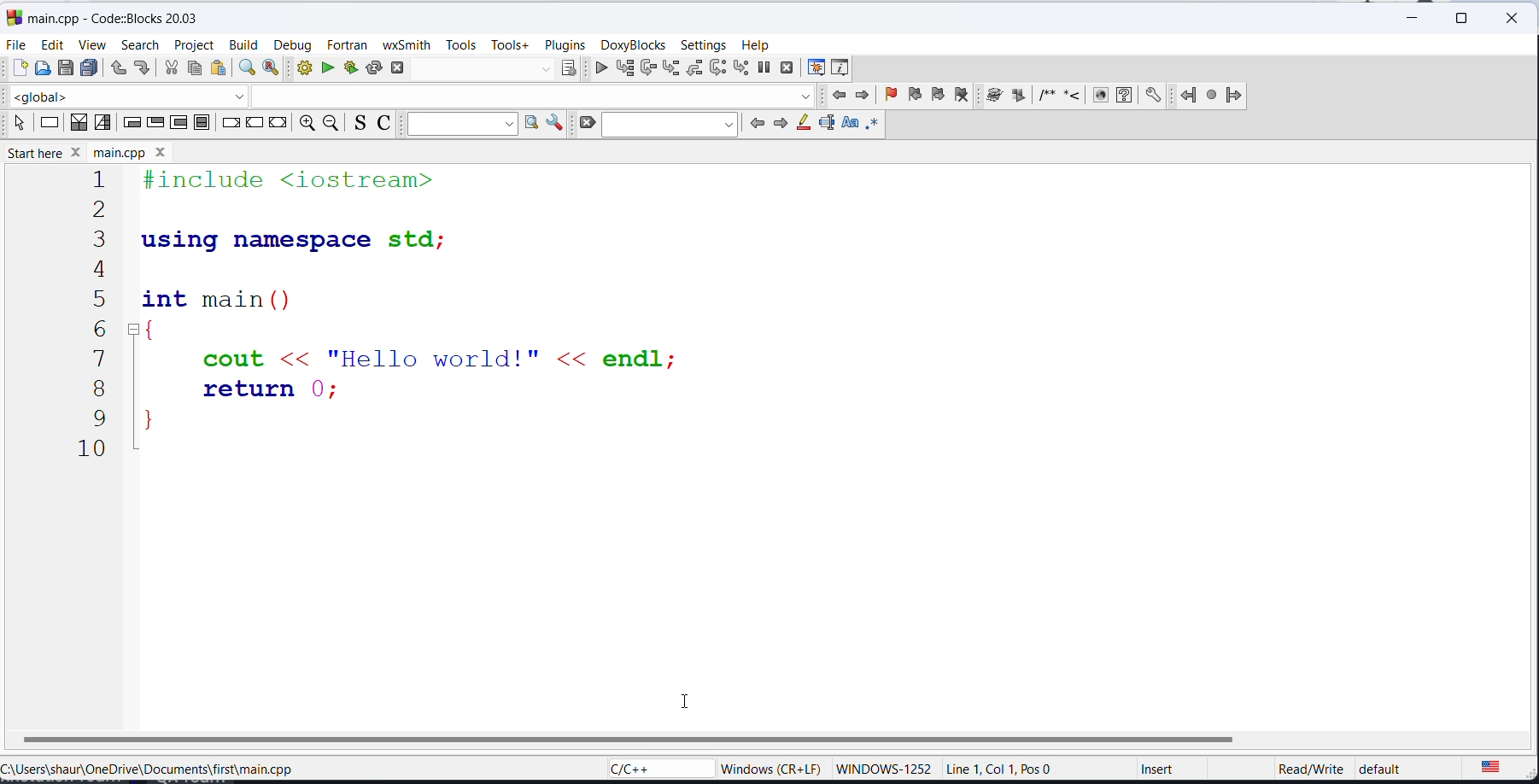  I want to click on UNDO, so click(117, 67).